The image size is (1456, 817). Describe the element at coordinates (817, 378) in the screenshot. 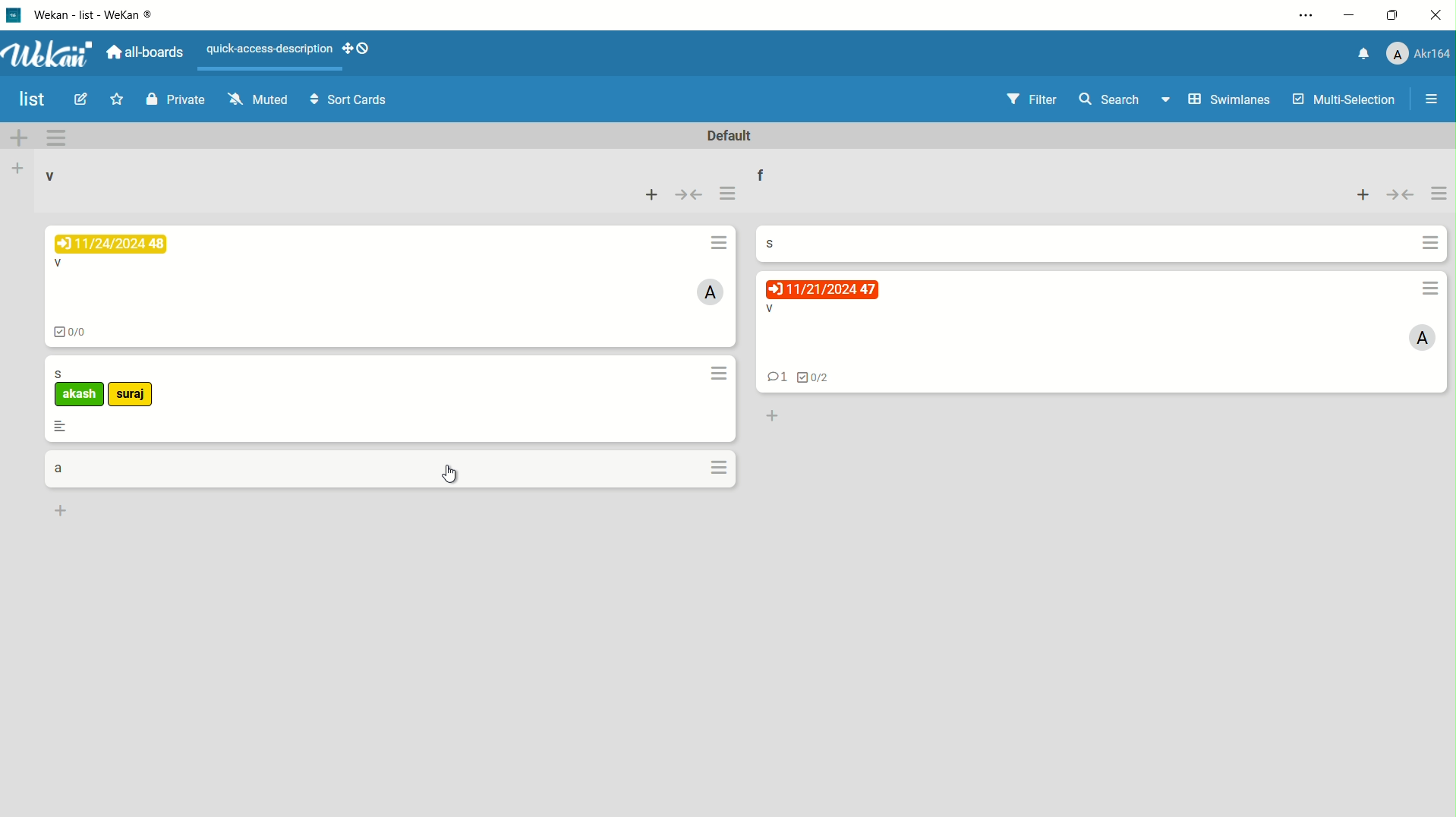

I see `checklist` at that location.